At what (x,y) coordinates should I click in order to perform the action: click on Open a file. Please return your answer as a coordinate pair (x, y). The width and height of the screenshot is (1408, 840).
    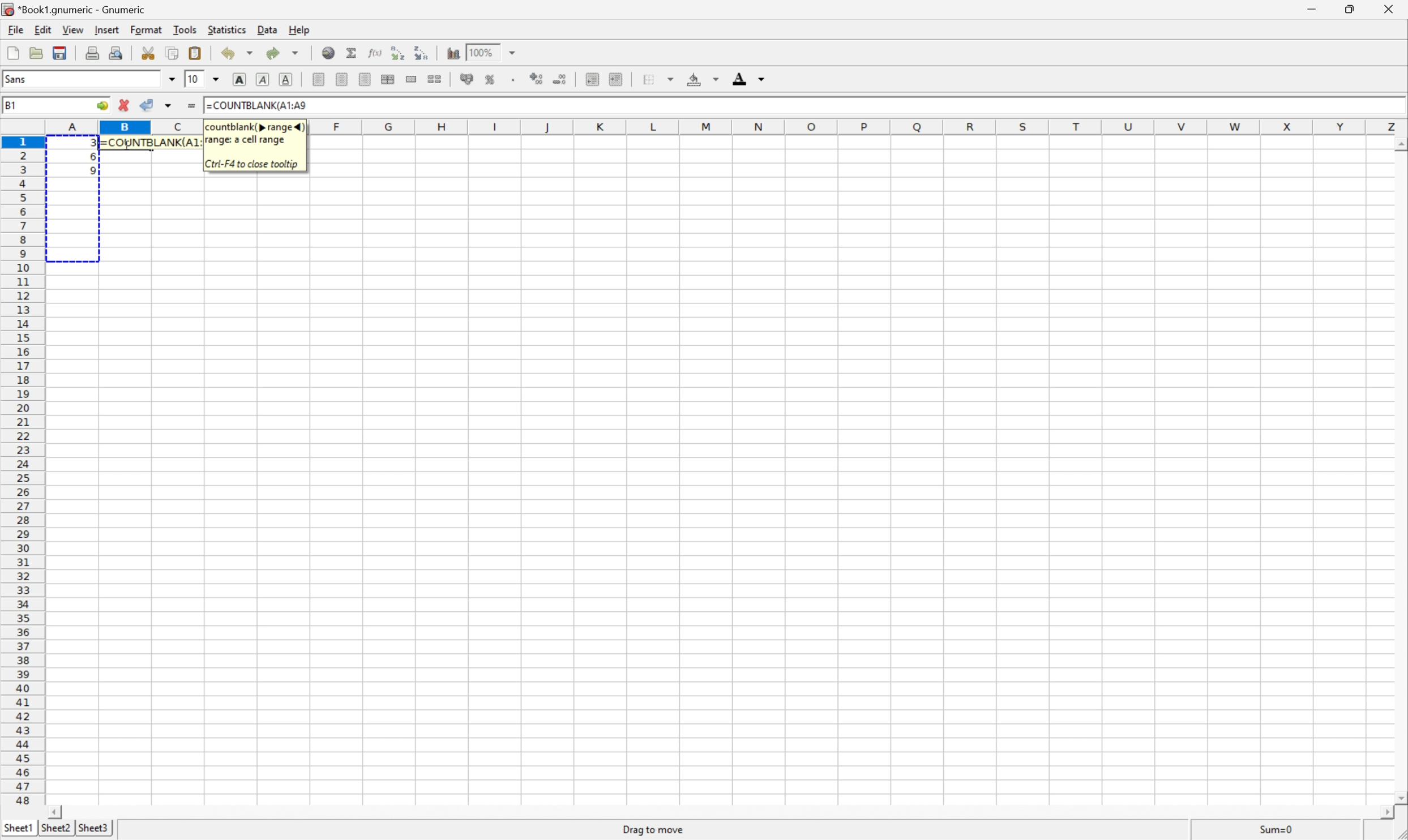
    Looking at the image, I should click on (35, 52).